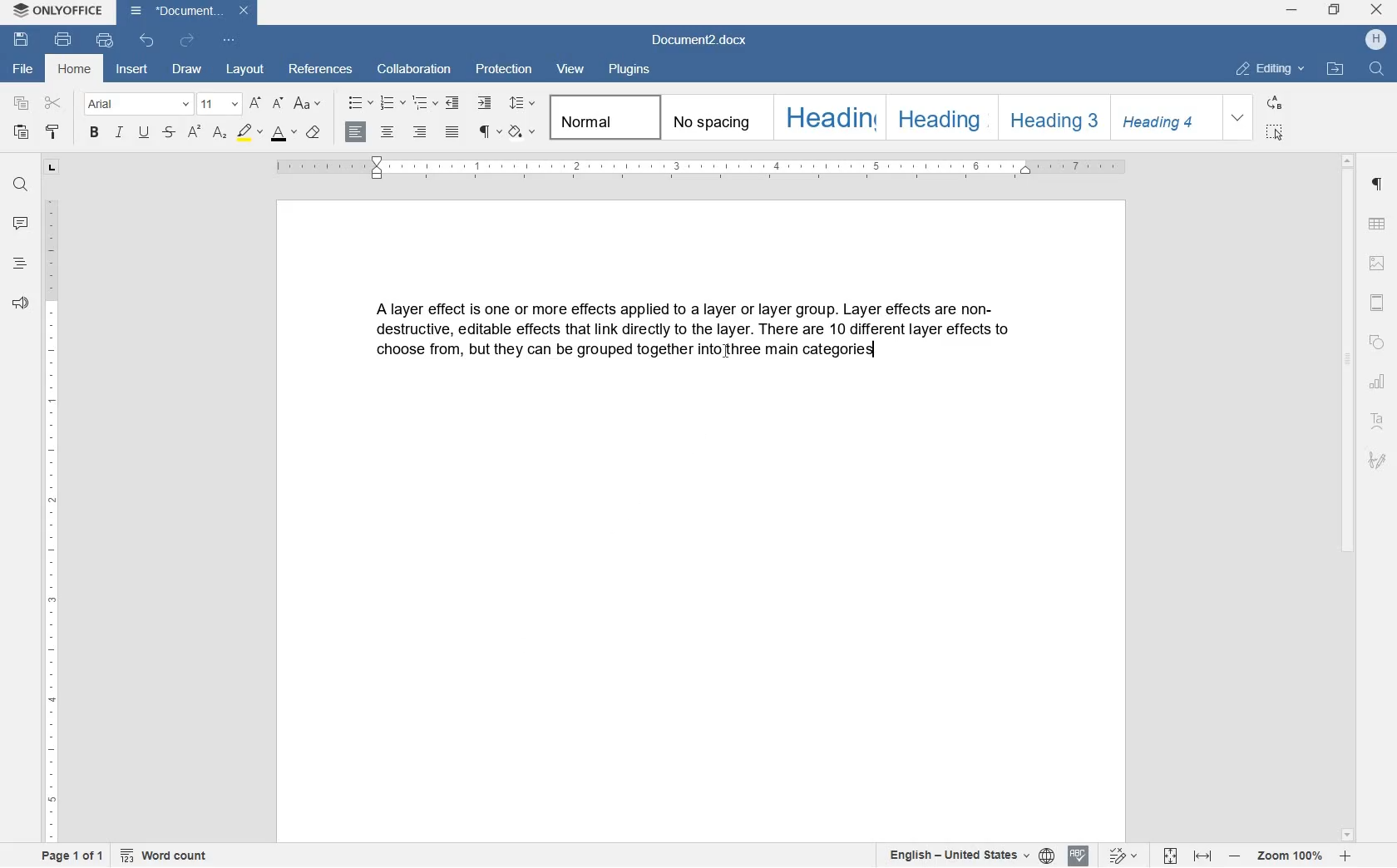  Describe the element at coordinates (486, 130) in the screenshot. I see `non printing character` at that location.